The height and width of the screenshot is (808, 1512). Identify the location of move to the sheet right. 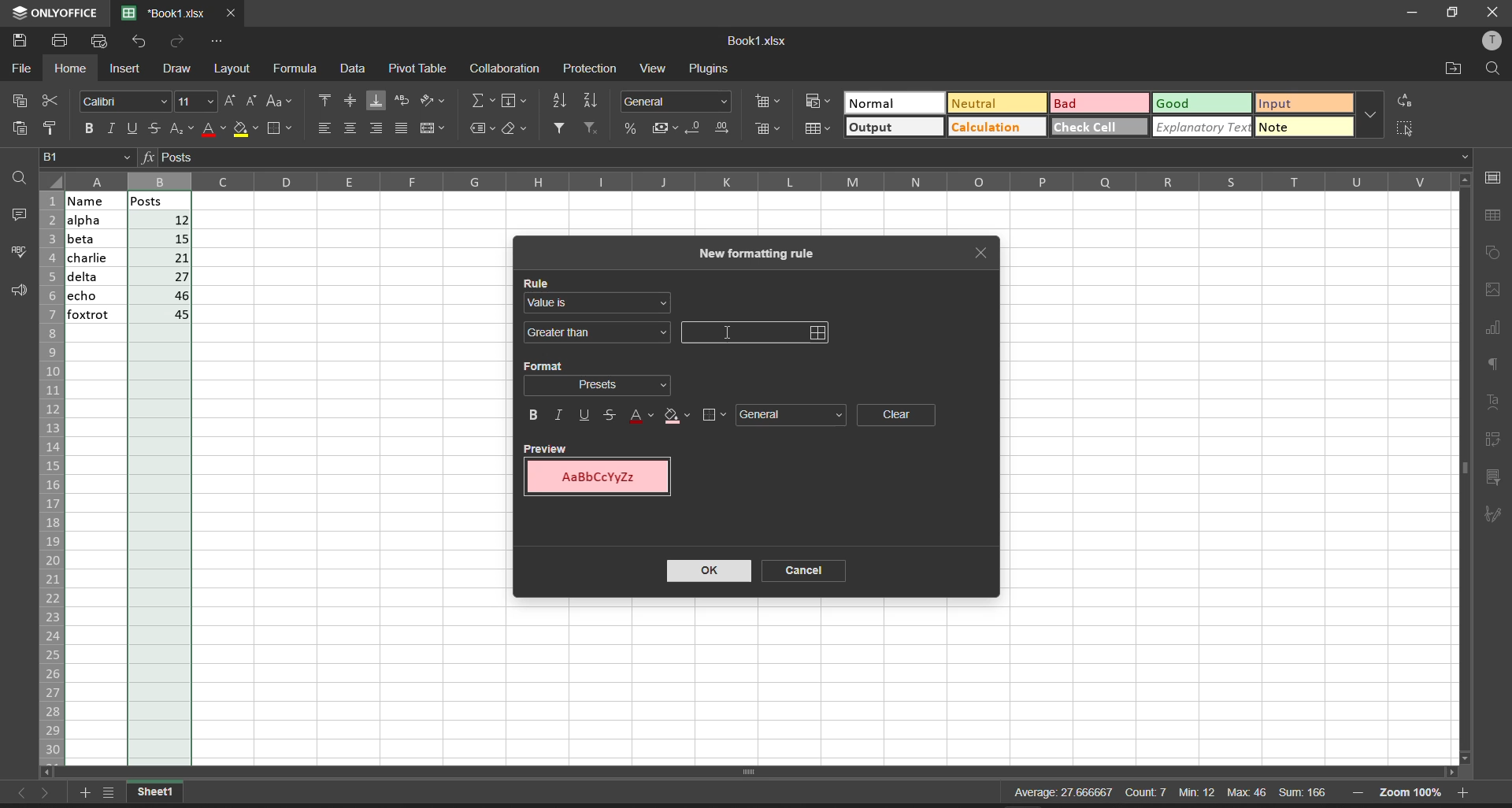
(46, 791).